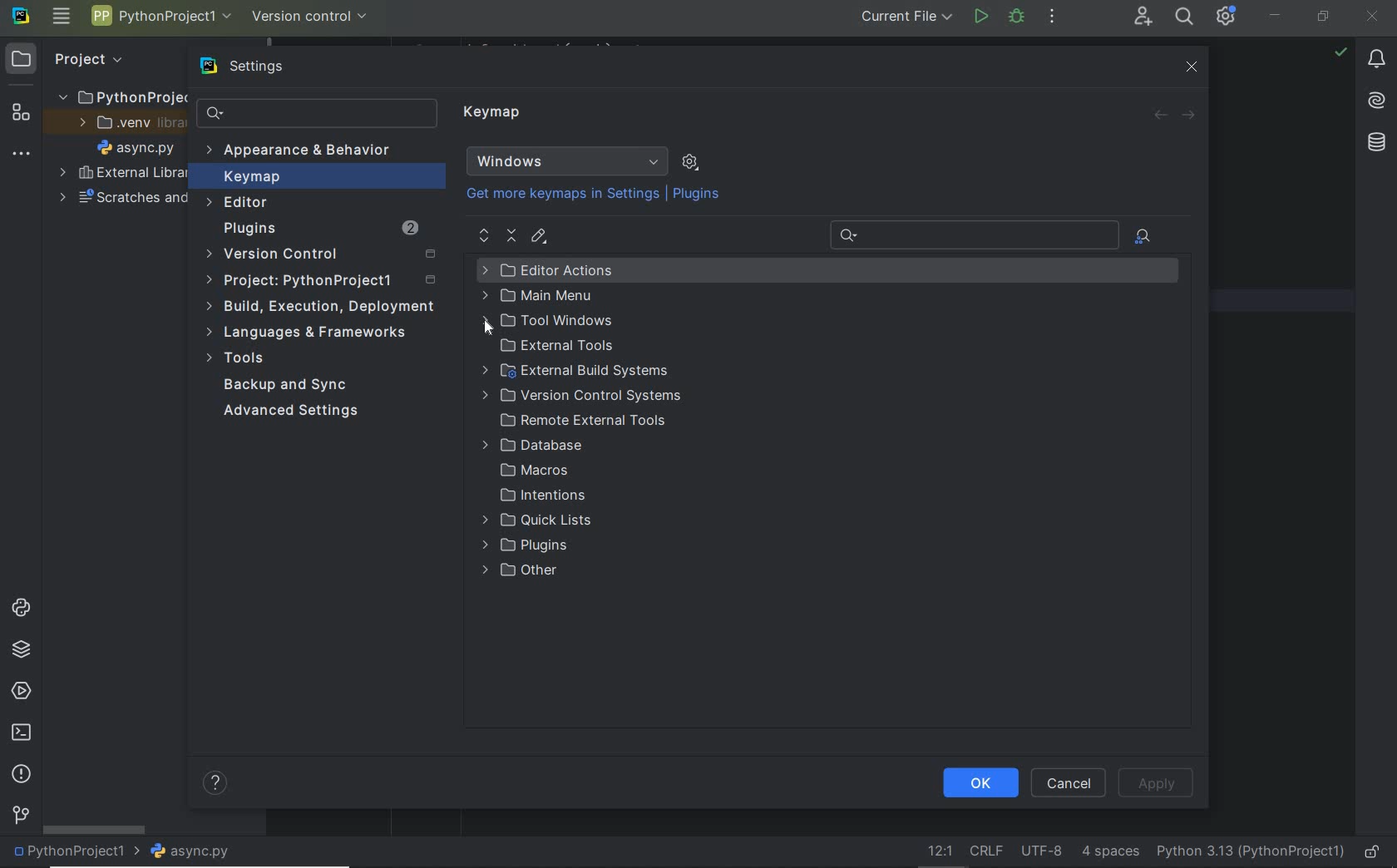 This screenshot has width=1397, height=868. Describe the element at coordinates (495, 115) in the screenshot. I see `Keymap` at that location.